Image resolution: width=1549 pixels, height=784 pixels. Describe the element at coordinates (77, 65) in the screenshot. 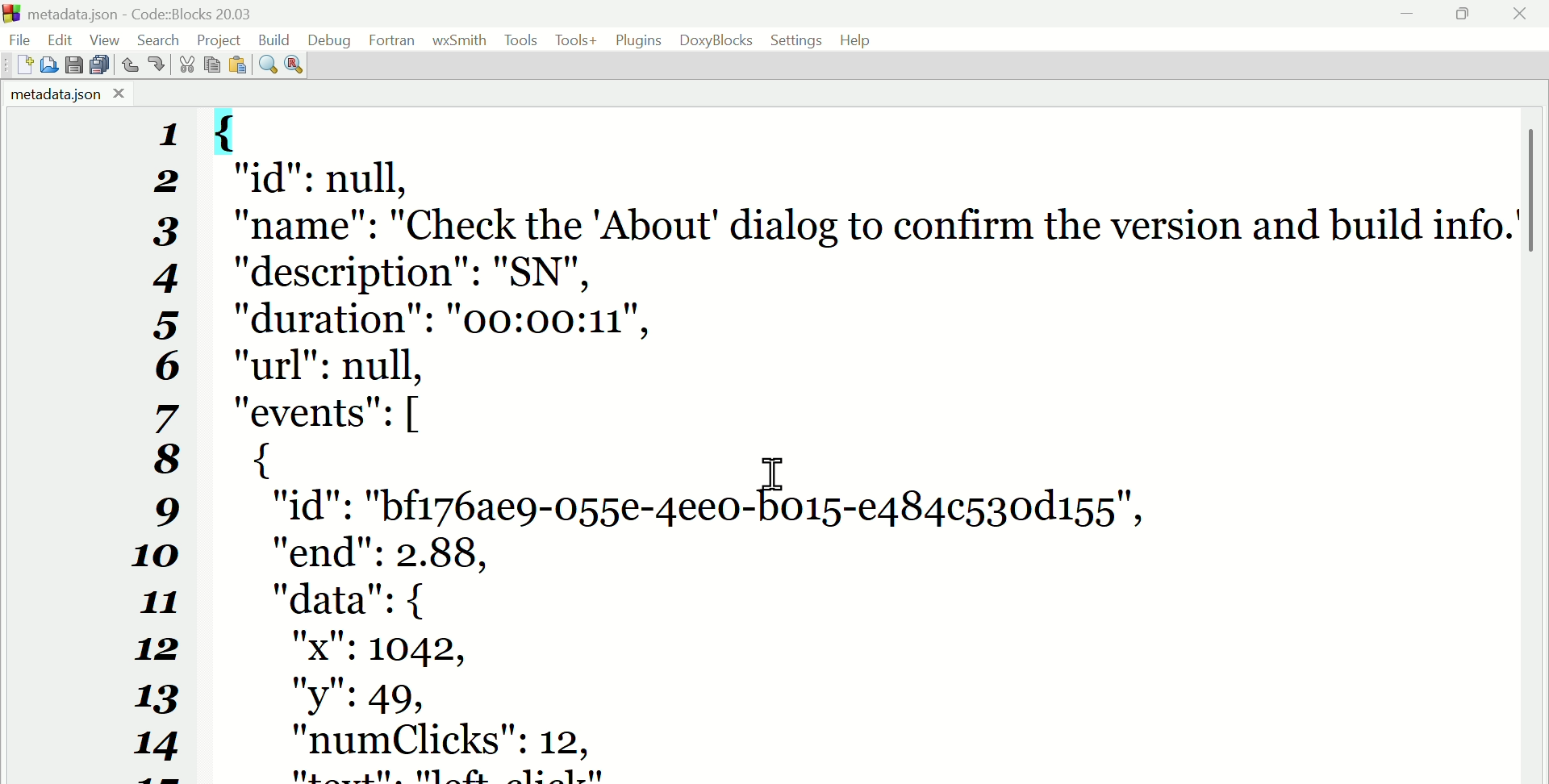

I see `save` at that location.